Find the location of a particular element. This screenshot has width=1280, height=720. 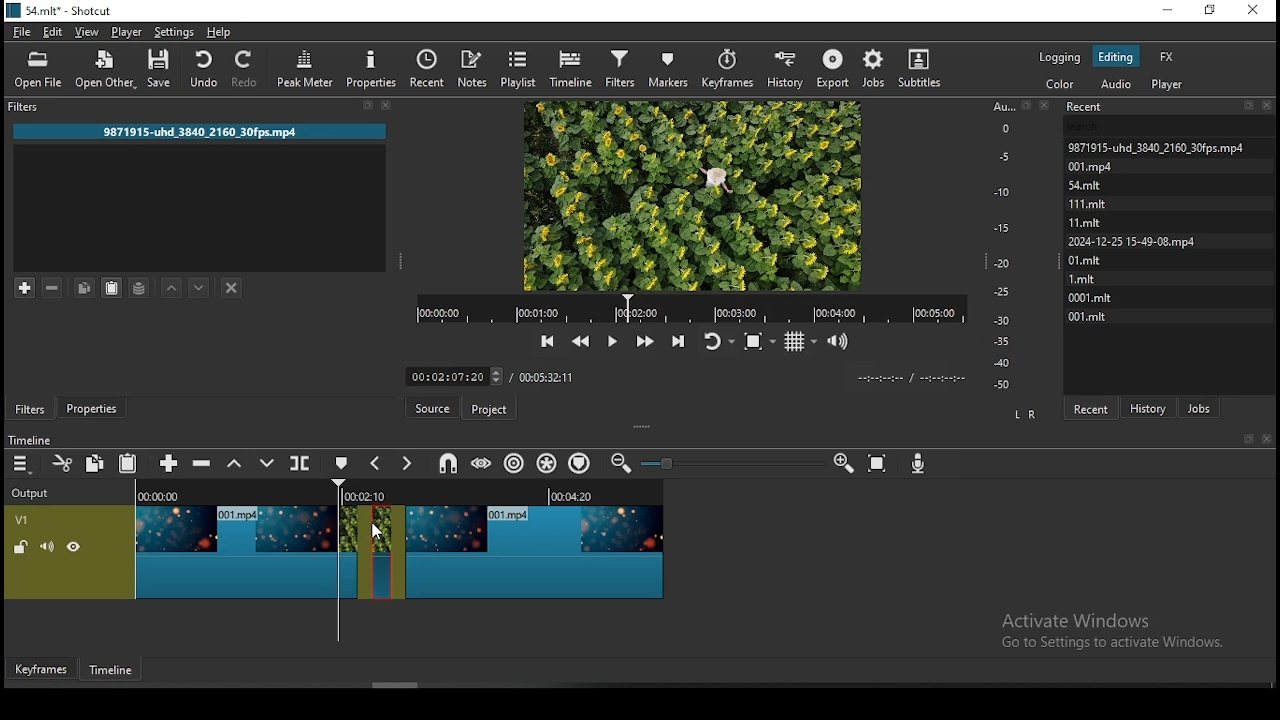

toggle grid display on the player is located at coordinates (799, 340).